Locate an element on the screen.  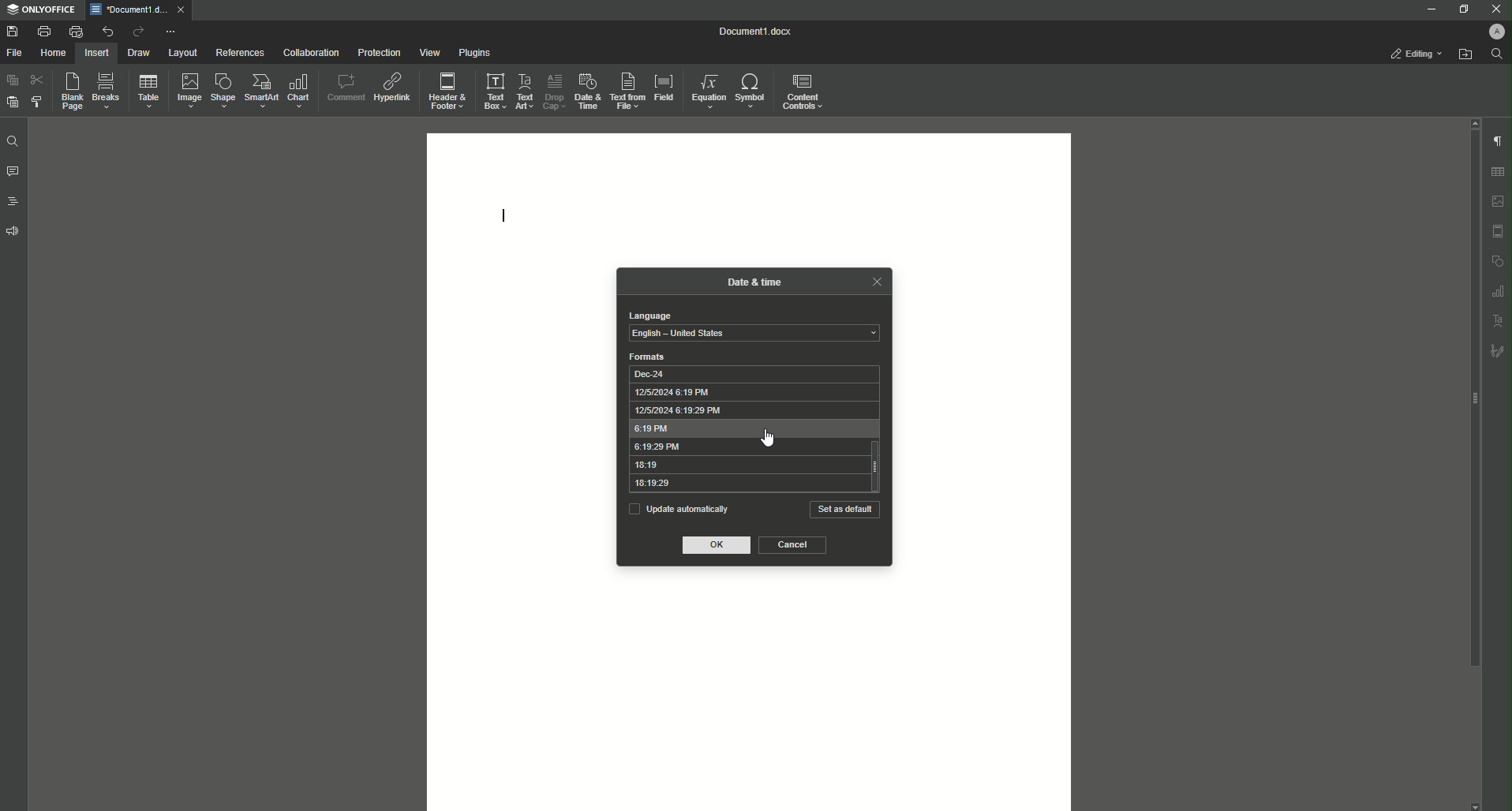
signature settings is located at coordinates (1497, 349).